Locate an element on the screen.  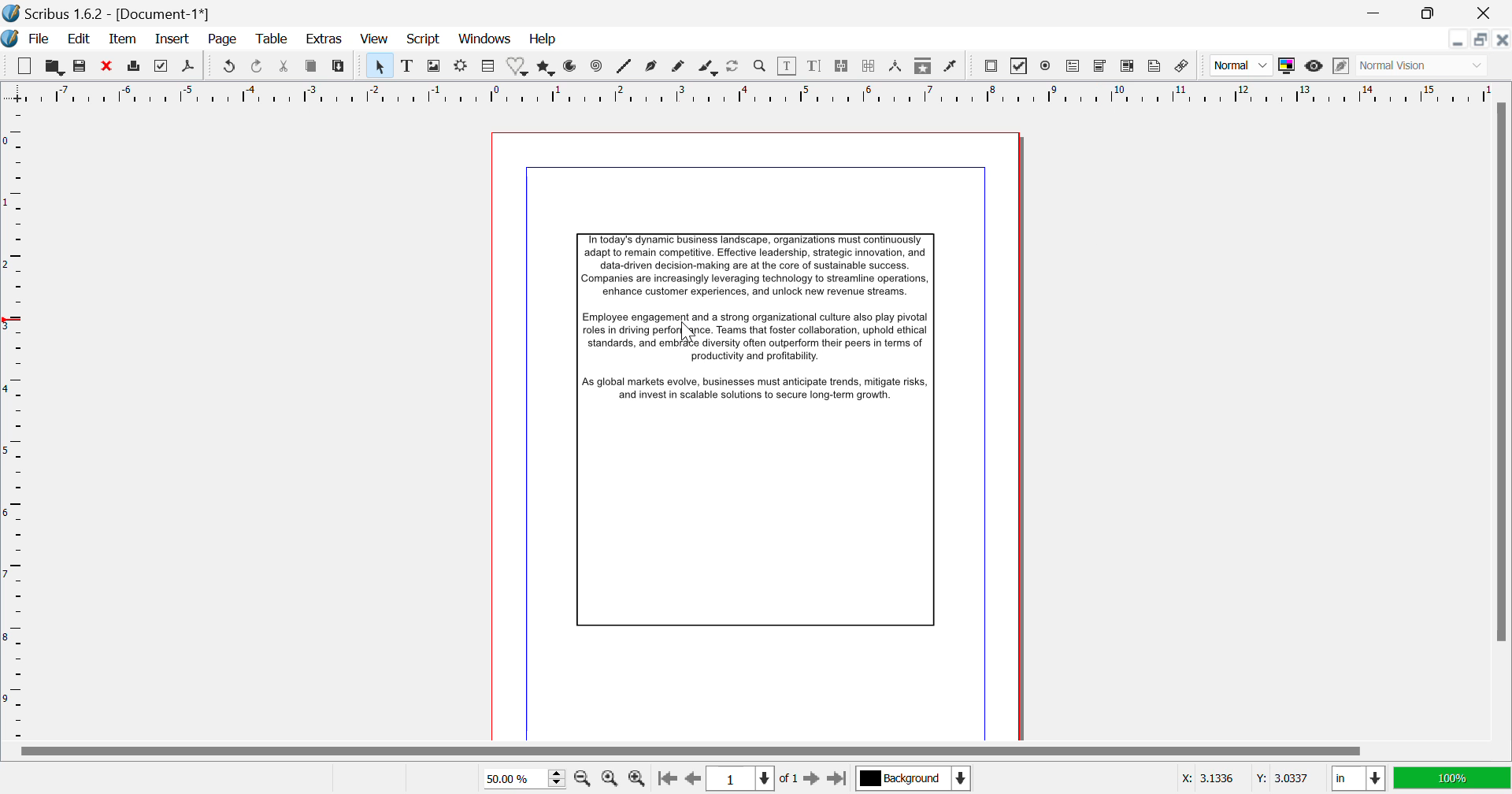
View is located at coordinates (372, 39).